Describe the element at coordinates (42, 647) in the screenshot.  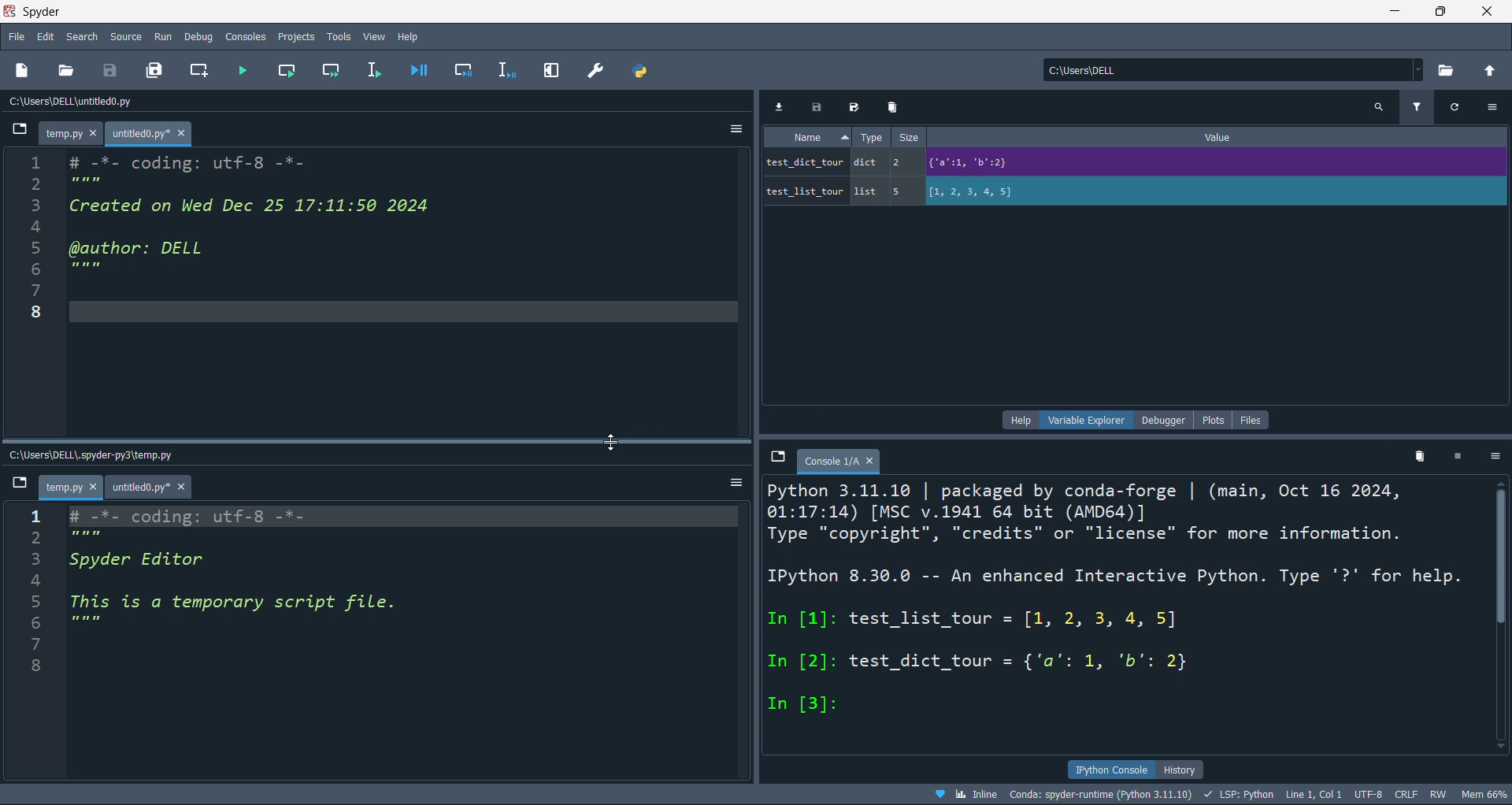
I see `7` at that location.